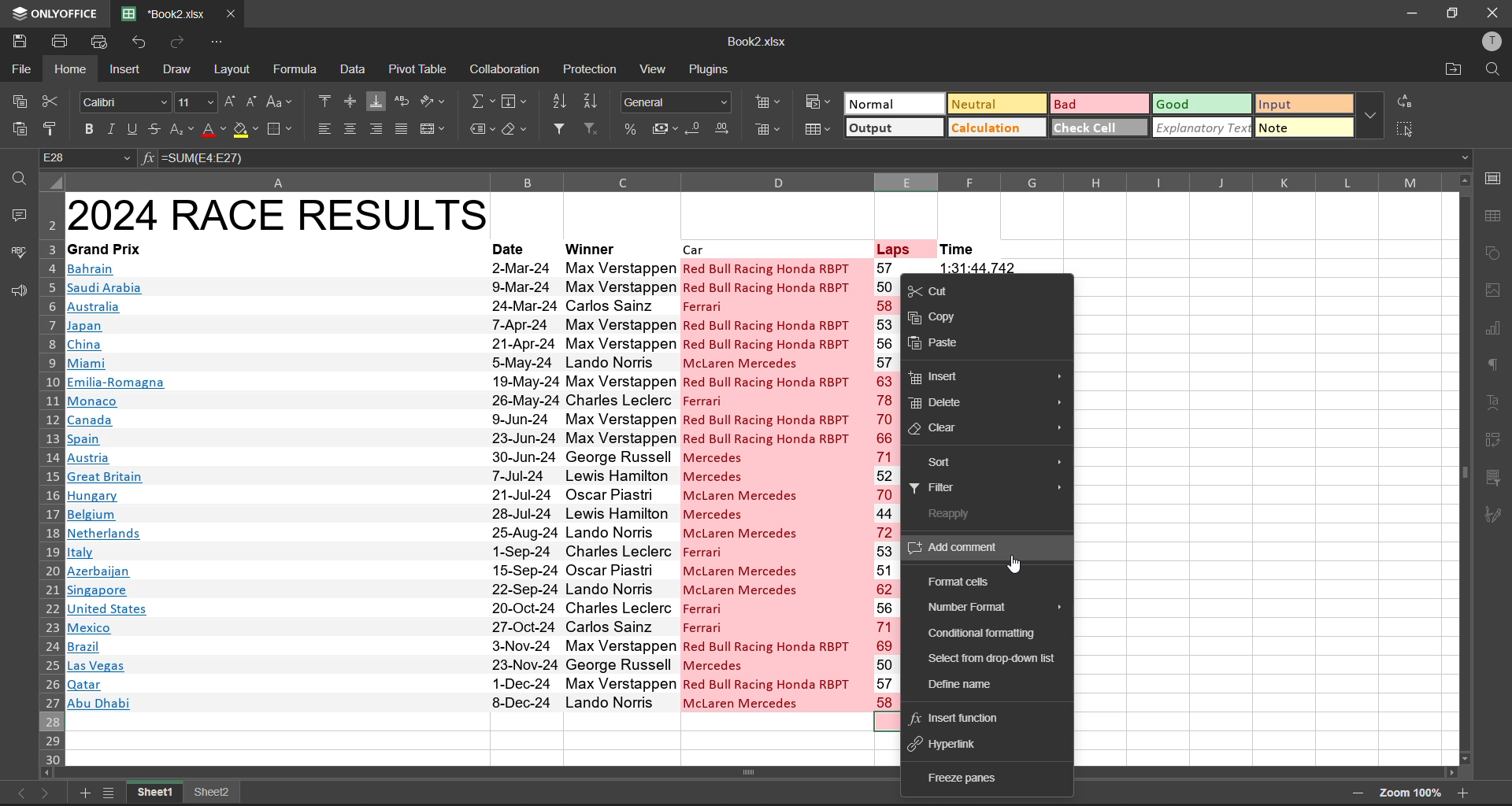 The image size is (1512, 806). I want to click on accounting, so click(662, 128).